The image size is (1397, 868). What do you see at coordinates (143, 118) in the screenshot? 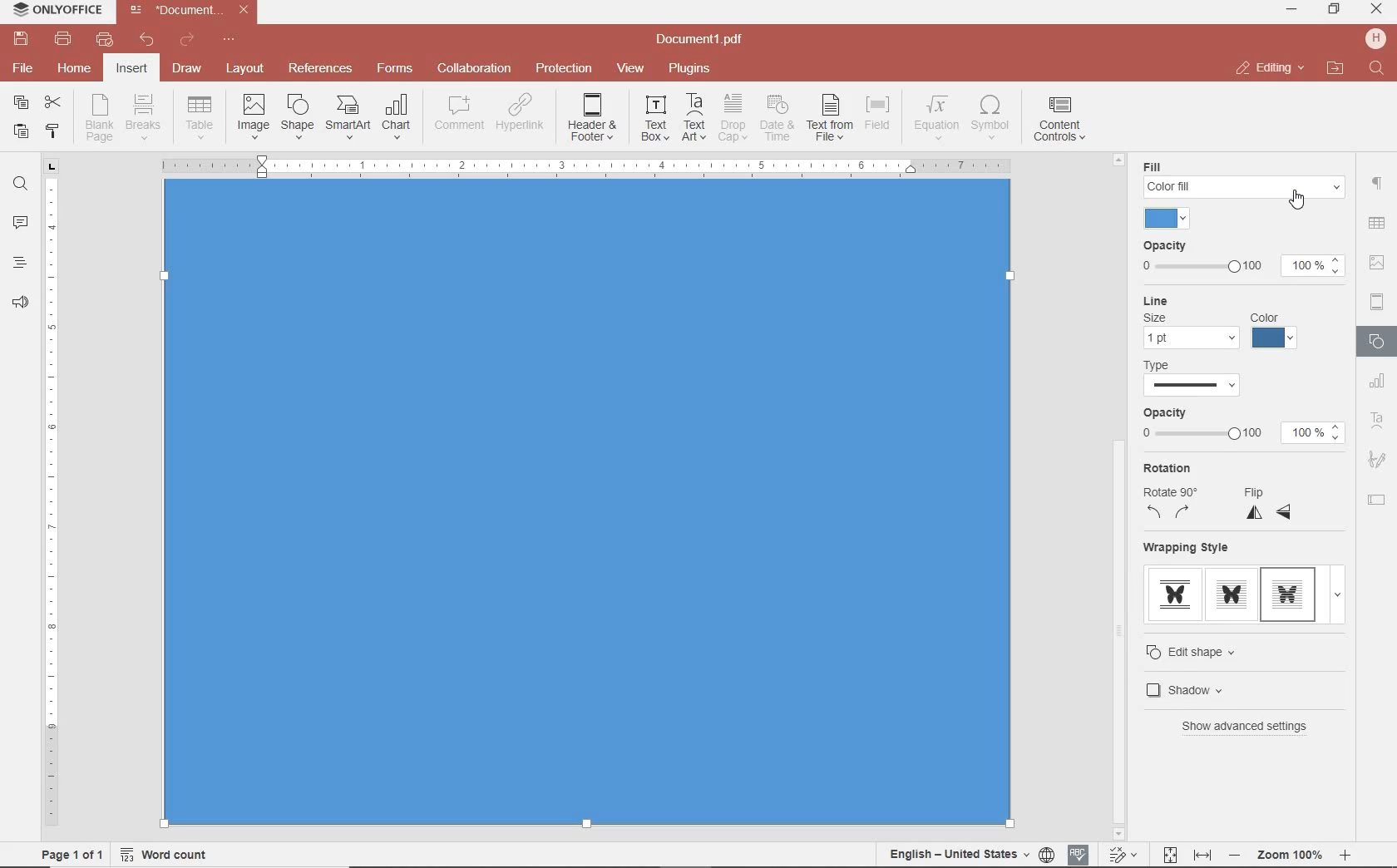
I see `INSERT PAGE OR SECTION BREAK` at bounding box center [143, 118].